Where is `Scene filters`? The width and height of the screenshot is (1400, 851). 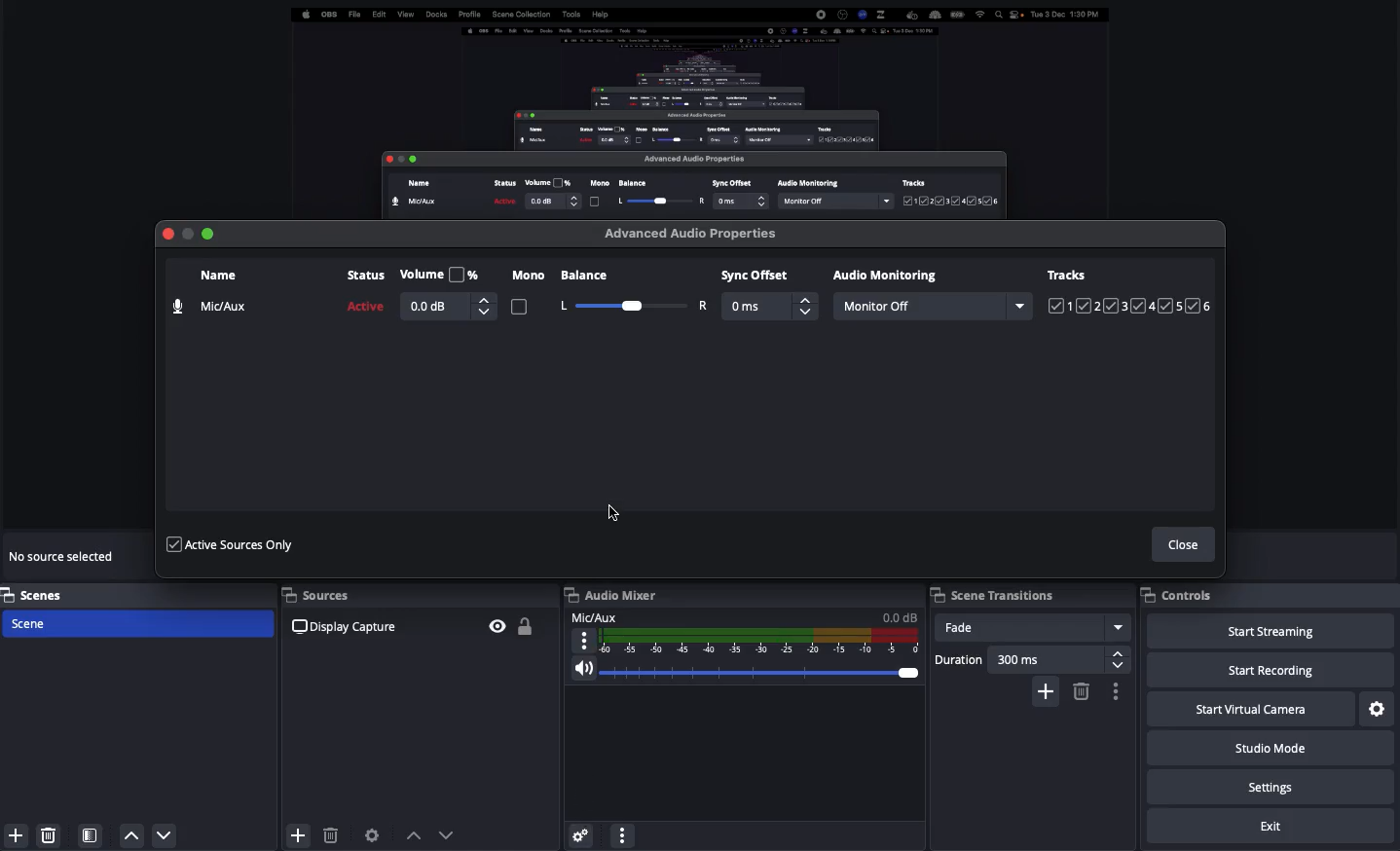
Scene filters is located at coordinates (90, 832).